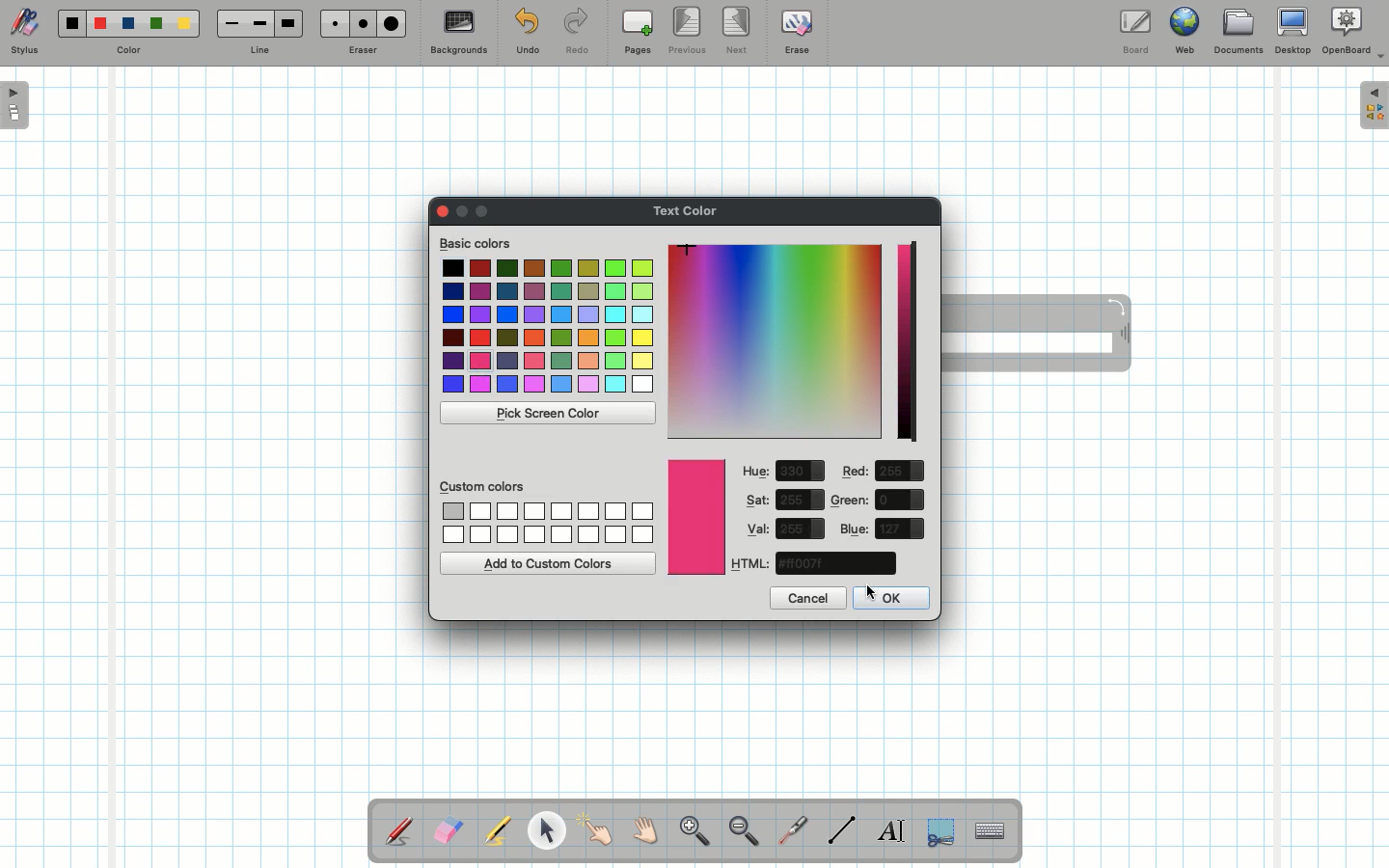 This screenshot has width=1389, height=868. I want to click on Blue, so click(129, 24).